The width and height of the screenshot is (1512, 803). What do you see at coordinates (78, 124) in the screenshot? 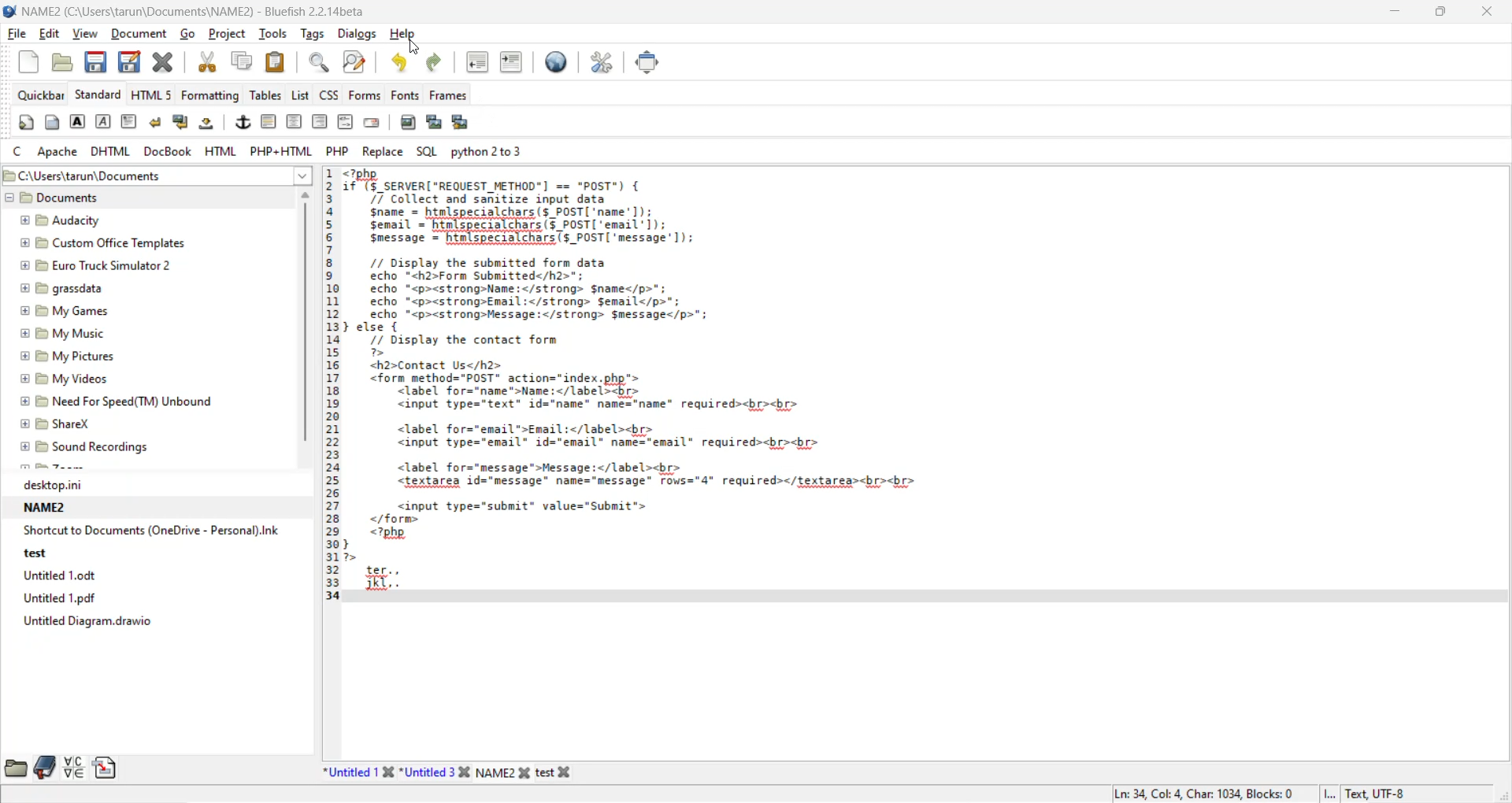
I see `strong` at bounding box center [78, 124].